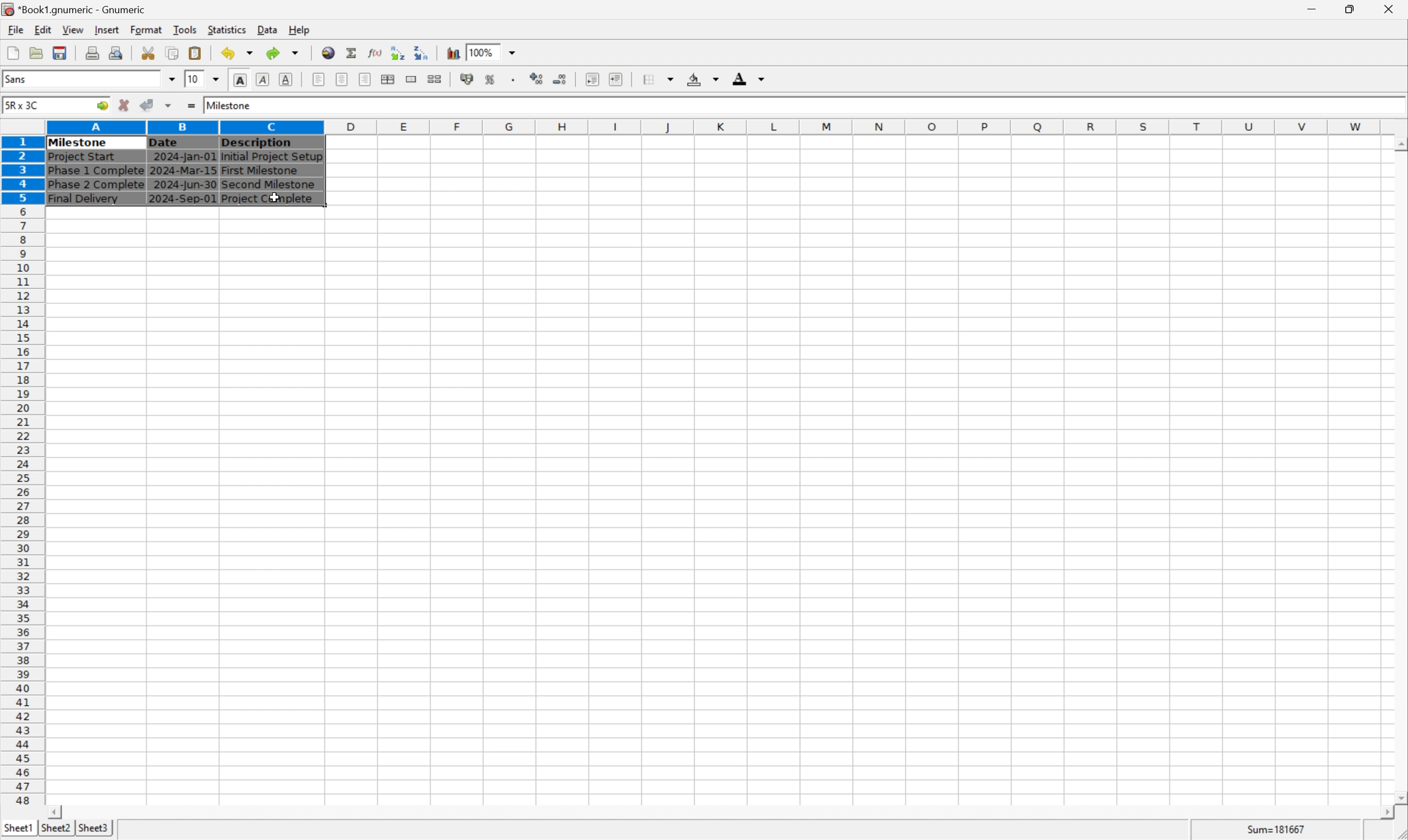 The height and width of the screenshot is (840, 1408). I want to click on underline, so click(286, 79).